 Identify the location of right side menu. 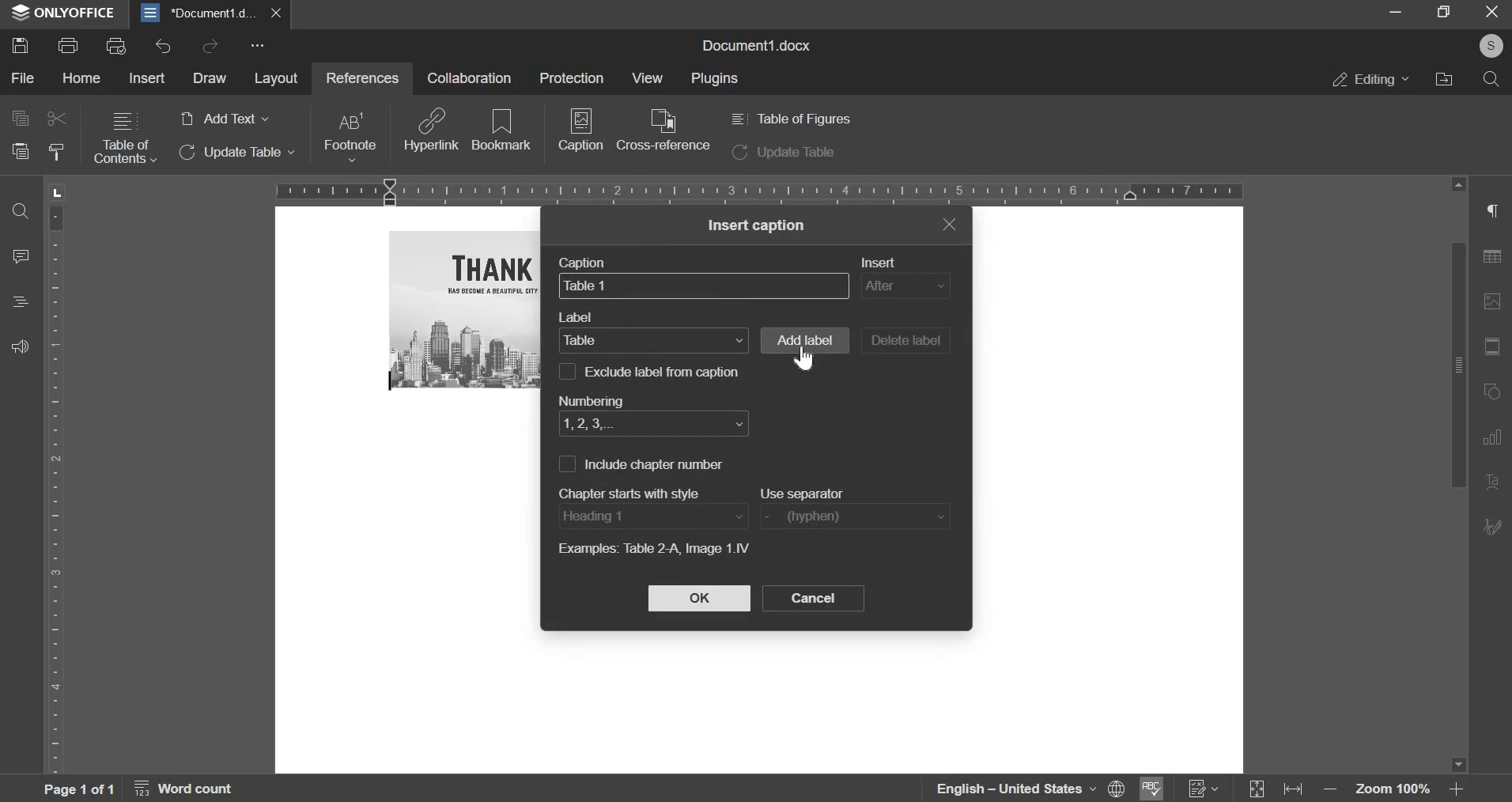
(1495, 213).